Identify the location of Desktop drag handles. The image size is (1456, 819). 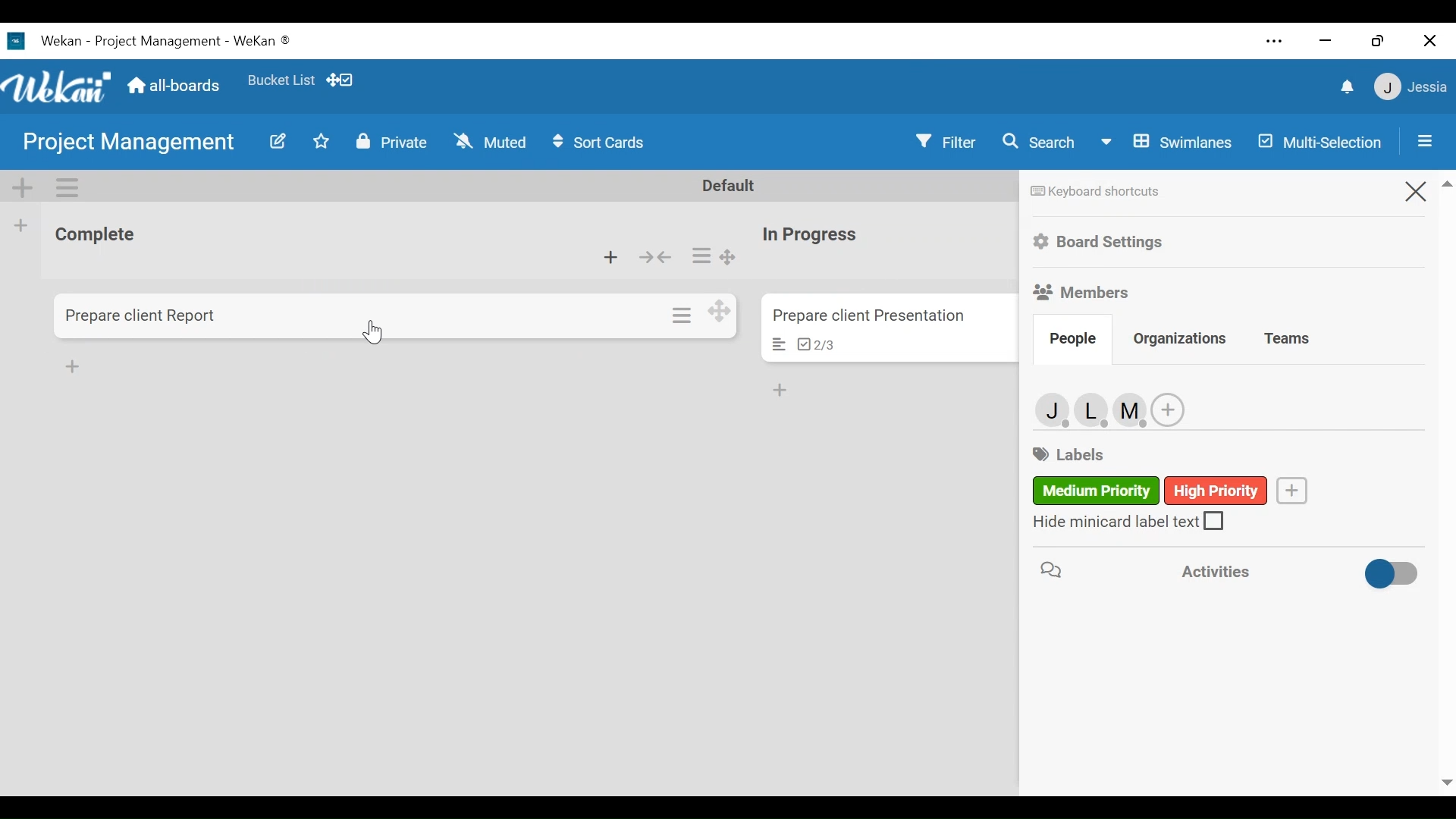
(718, 311).